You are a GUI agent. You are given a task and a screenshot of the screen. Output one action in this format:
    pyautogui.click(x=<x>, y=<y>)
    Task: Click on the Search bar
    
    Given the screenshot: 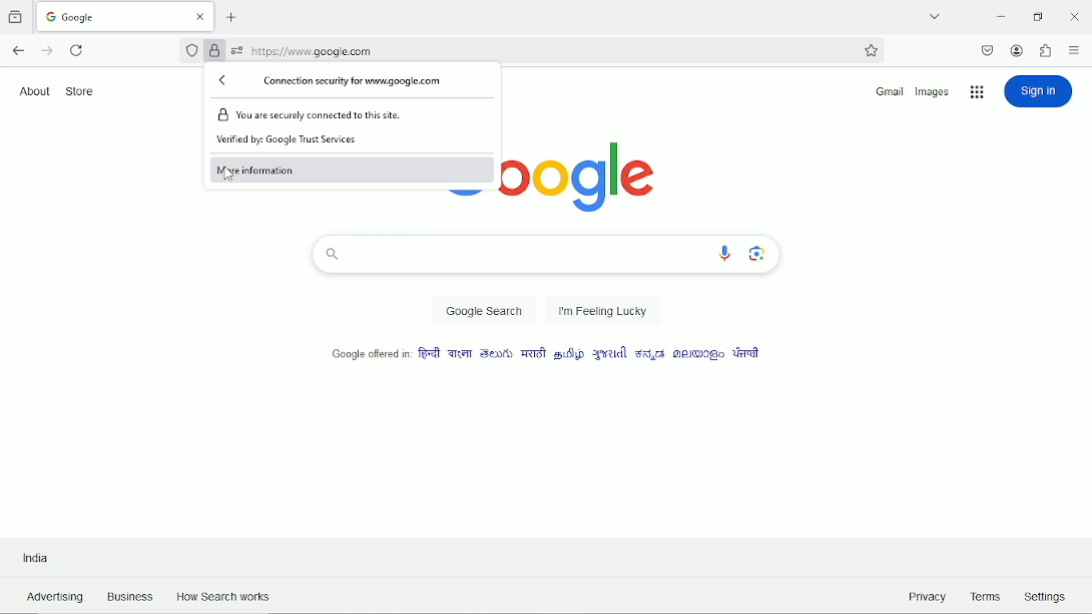 What is the action you would take?
    pyautogui.click(x=546, y=255)
    